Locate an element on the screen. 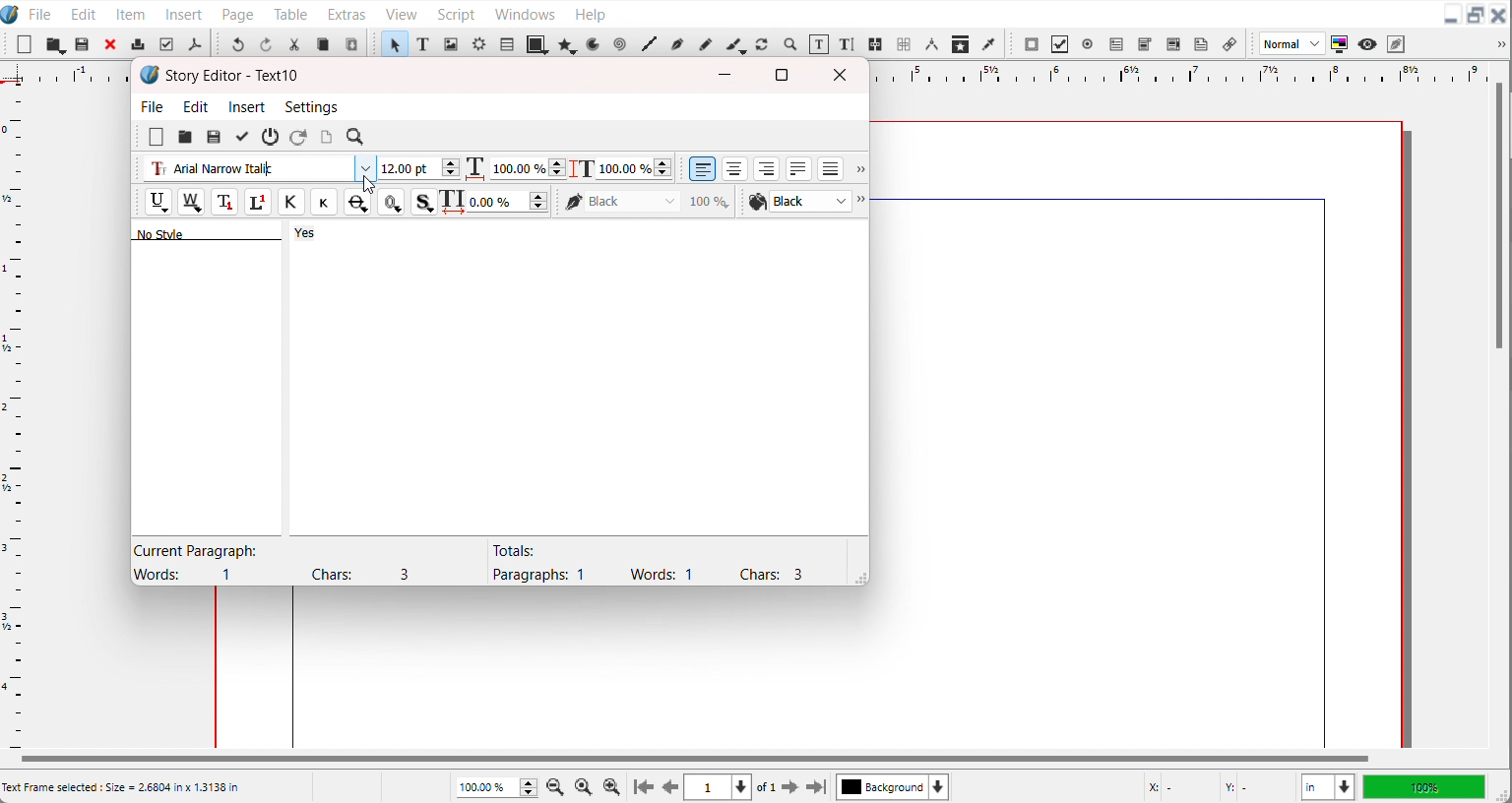  Close is located at coordinates (111, 43).